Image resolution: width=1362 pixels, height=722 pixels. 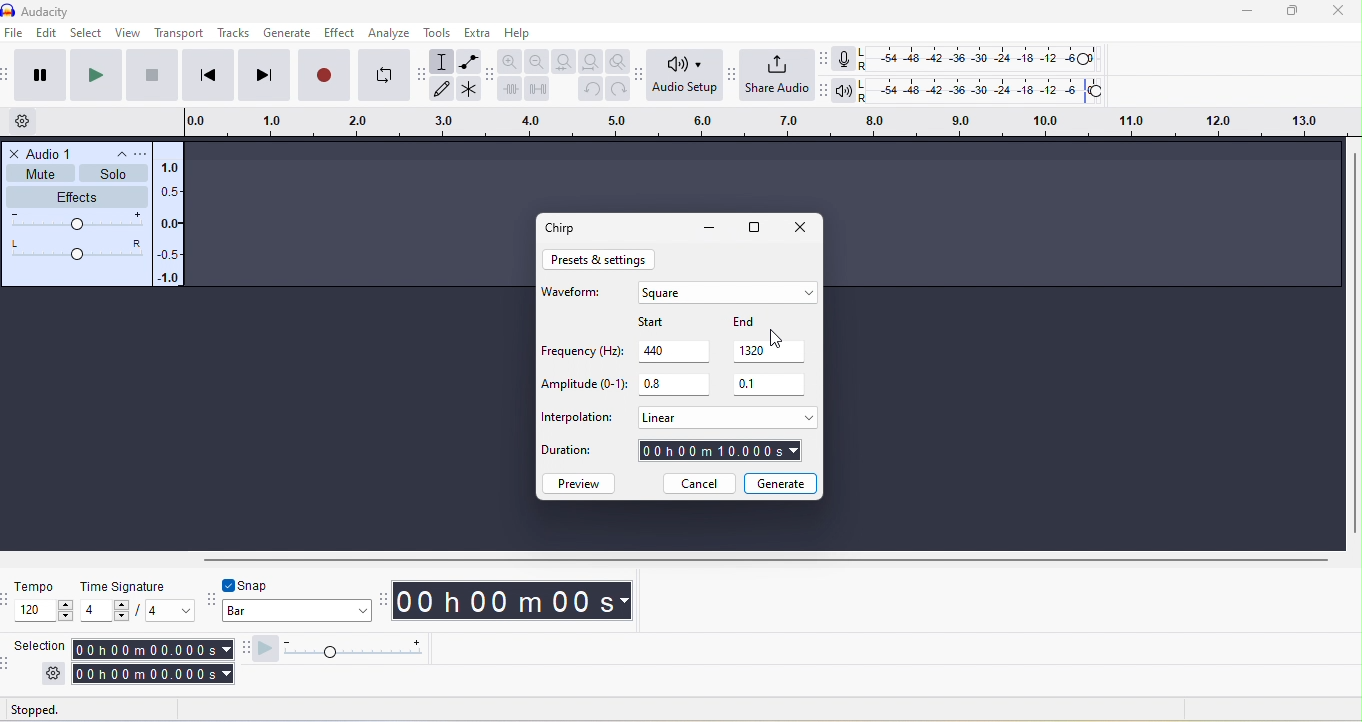 I want to click on cursor, so click(x=777, y=339).